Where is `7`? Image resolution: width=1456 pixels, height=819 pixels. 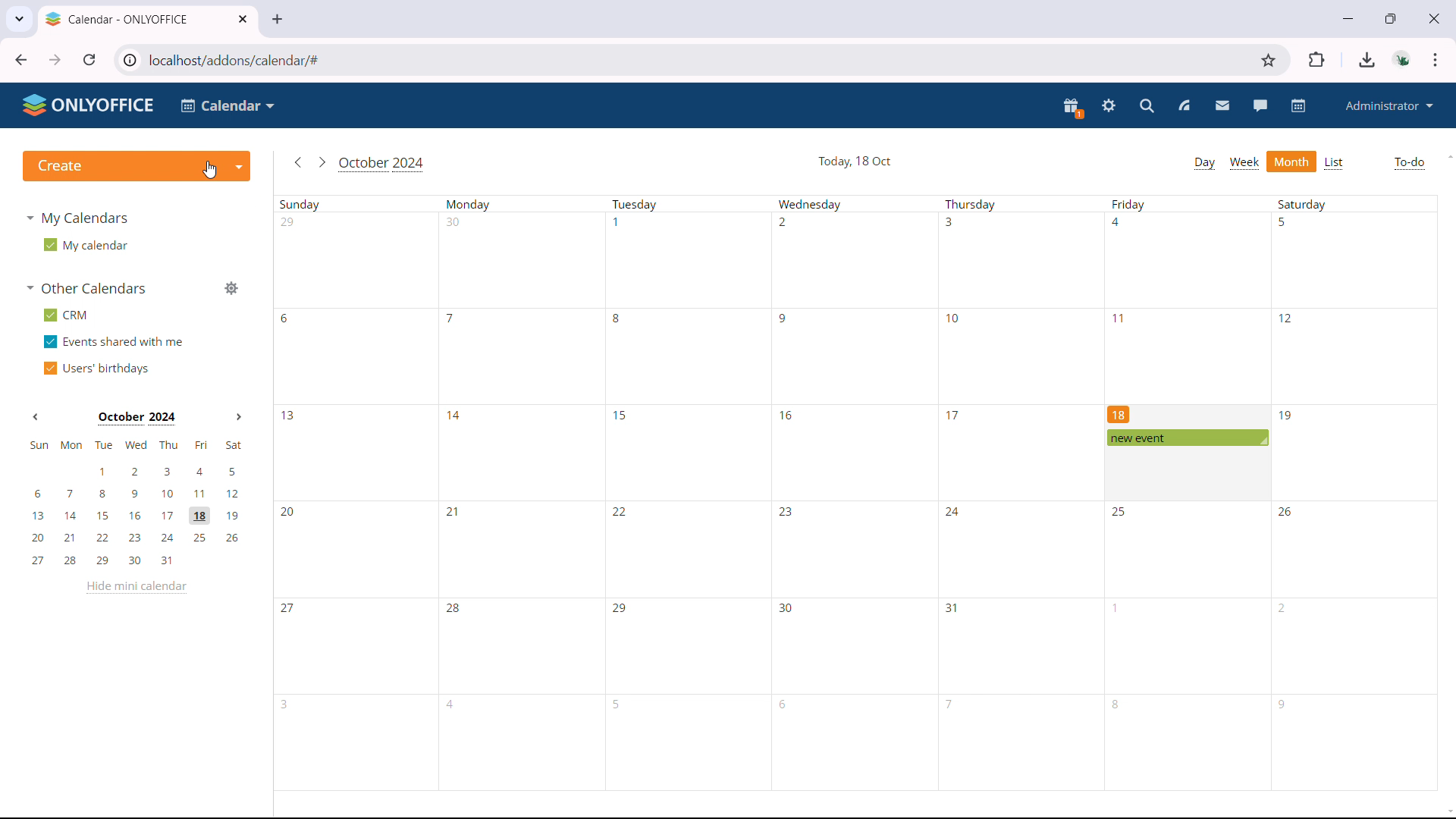 7 is located at coordinates (452, 319).